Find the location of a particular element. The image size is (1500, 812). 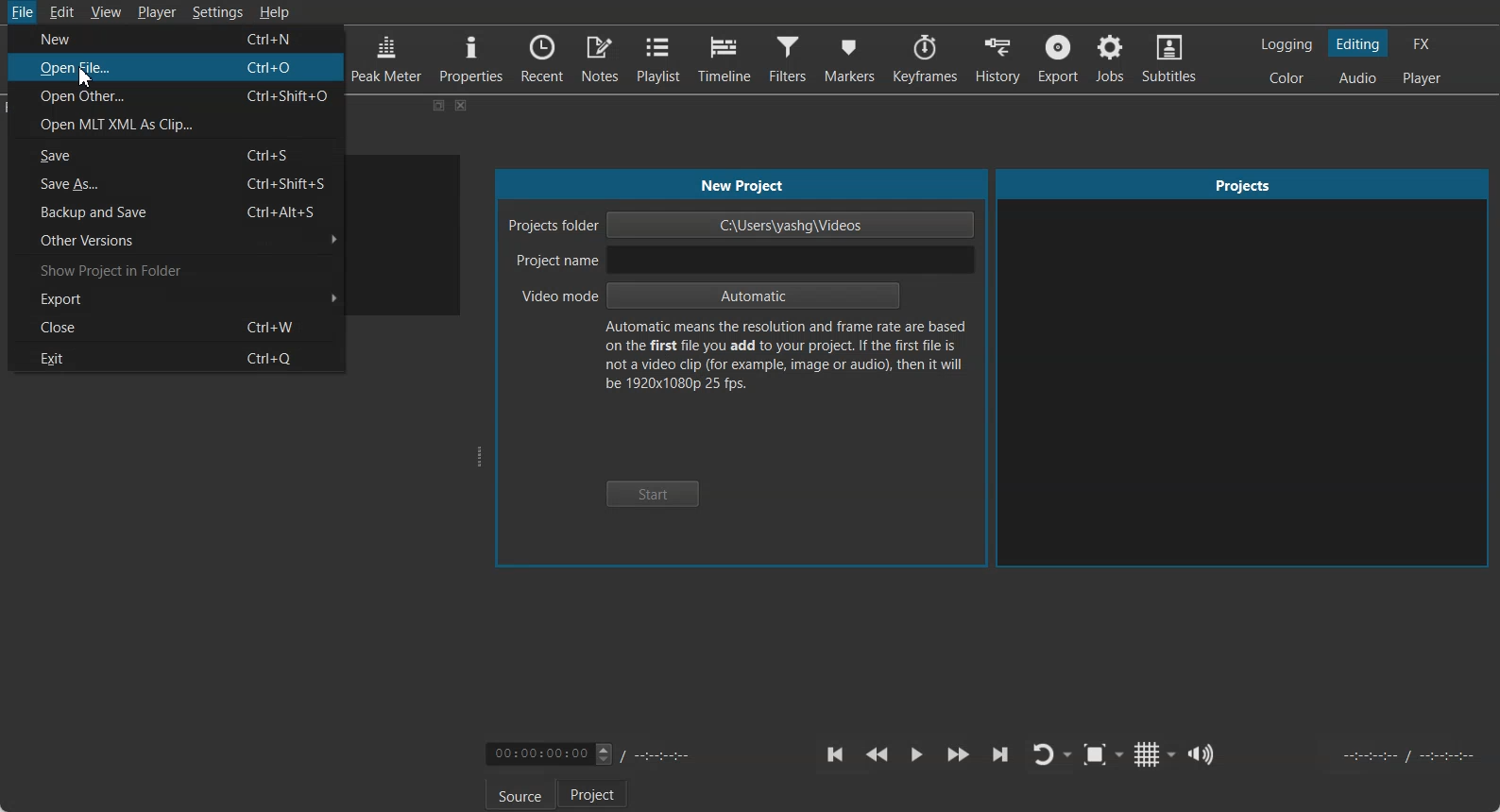

View is located at coordinates (106, 11).